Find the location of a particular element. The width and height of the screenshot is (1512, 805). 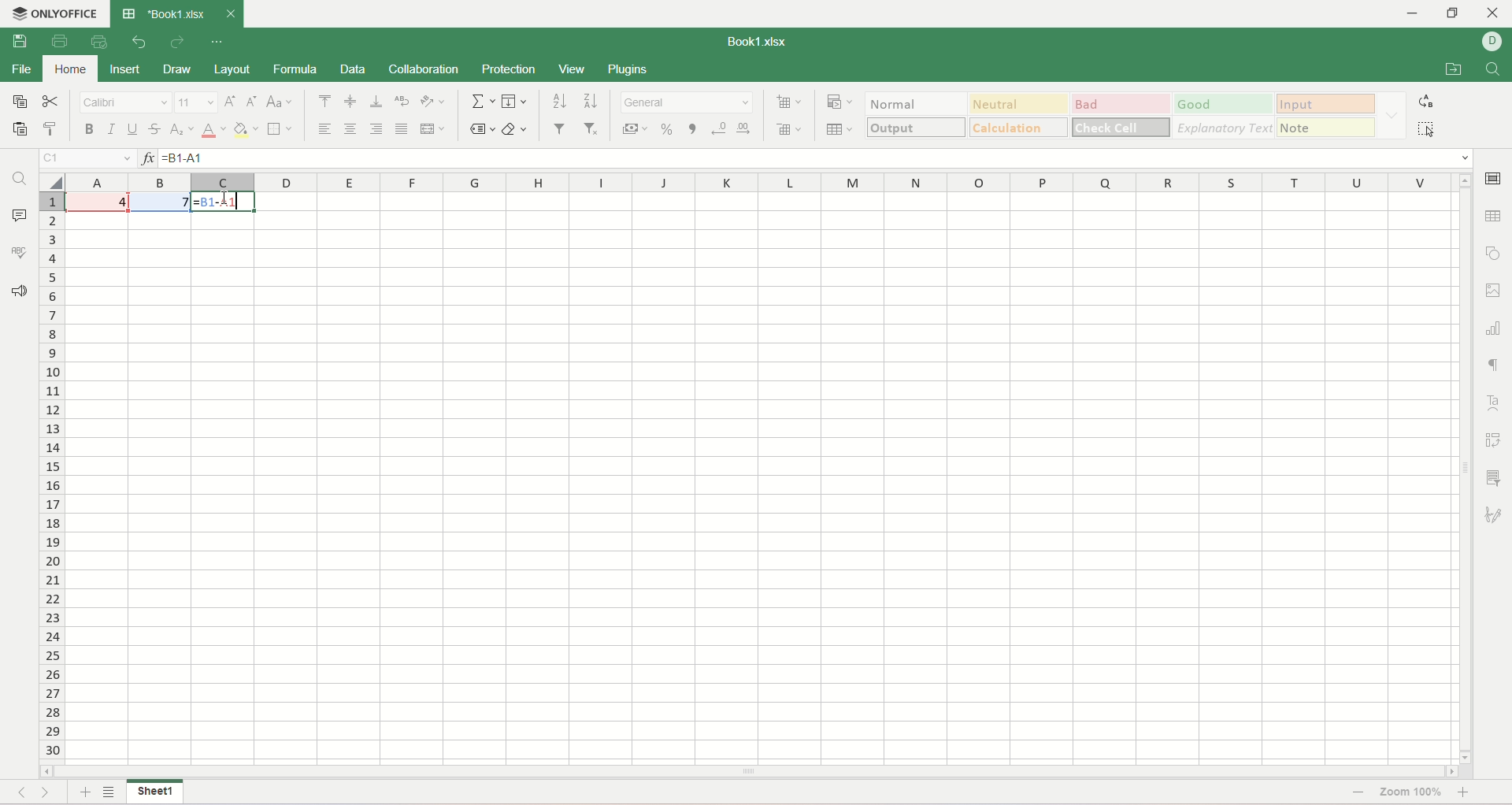

remove filter is located at coordinates (595, 128).